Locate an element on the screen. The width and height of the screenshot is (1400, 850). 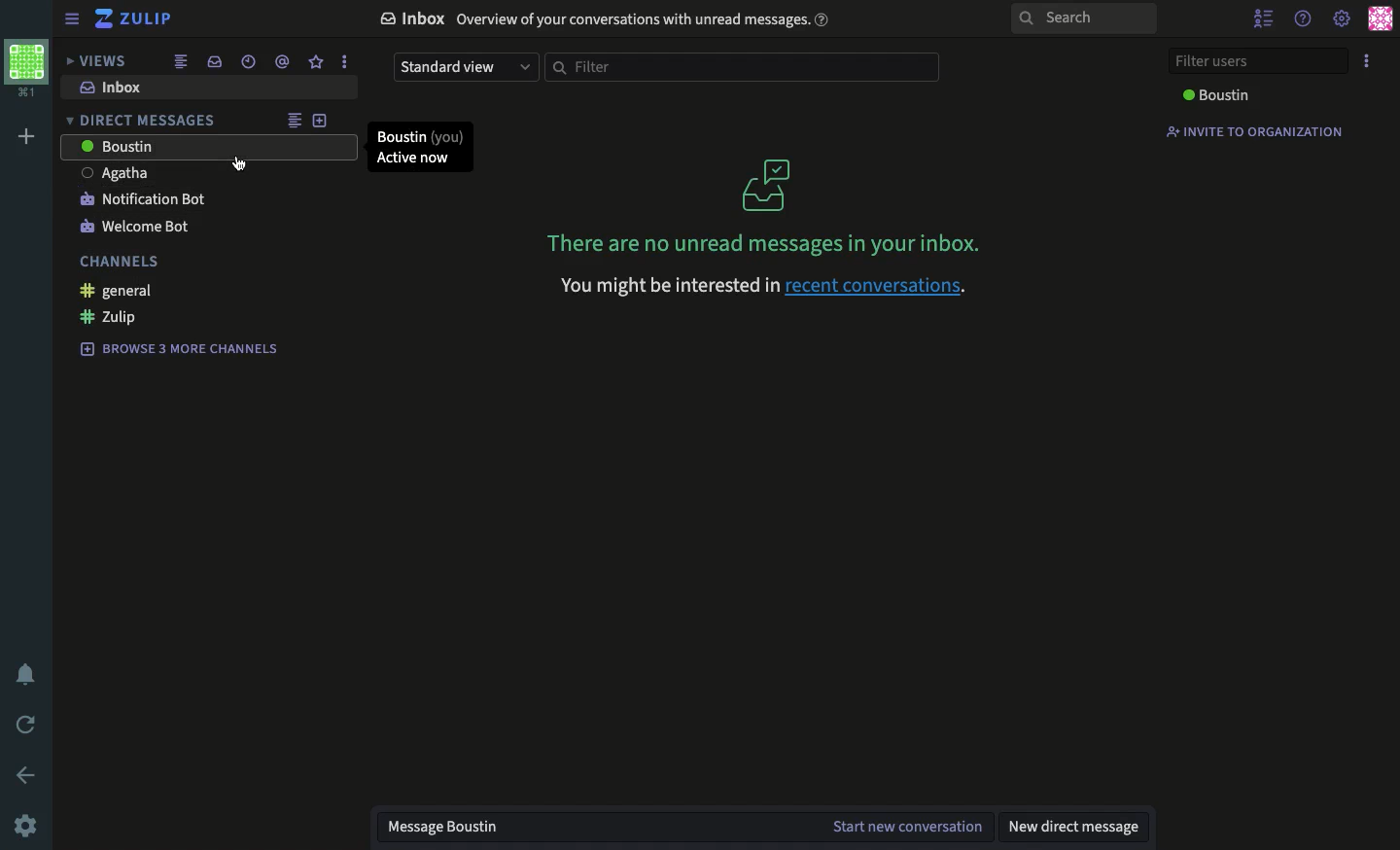
Agatha is located at coordinates (118, 173).